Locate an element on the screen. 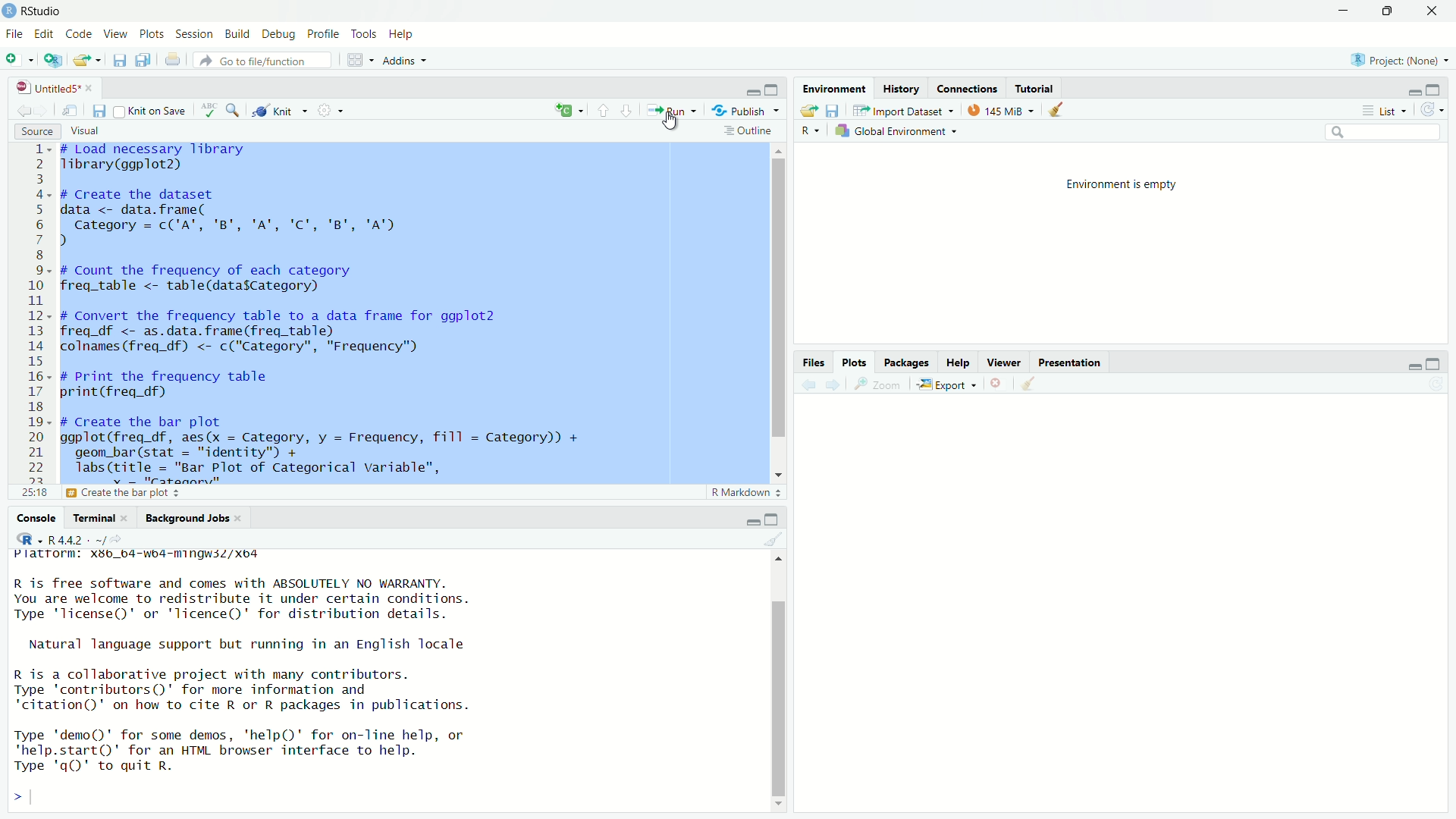 This screenshot has width=1456, height=819. find and replace is located at coordinates (234, 112).